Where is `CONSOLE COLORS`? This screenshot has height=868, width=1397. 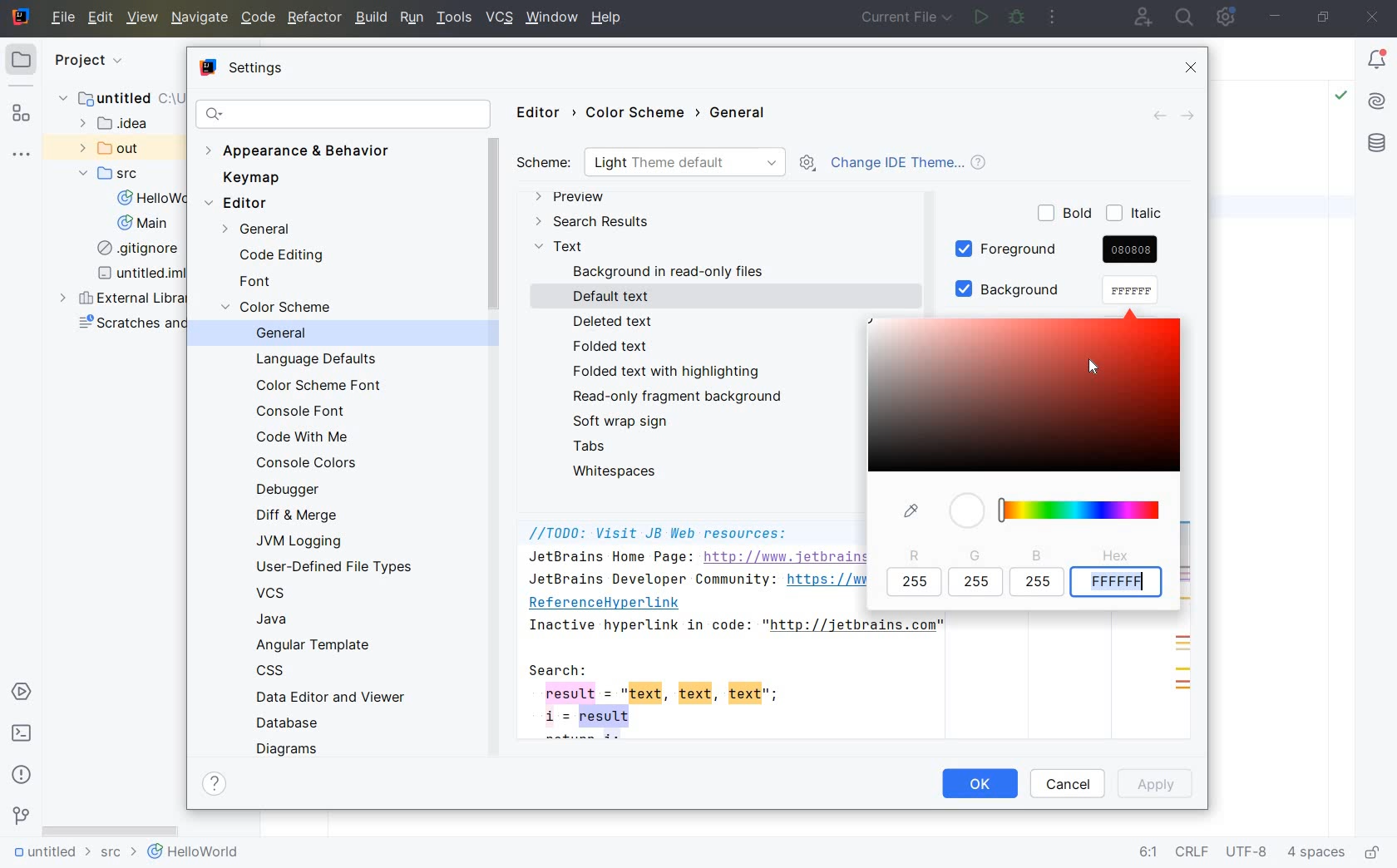
CONSOLE COLORS is located at coordinates (310, 464).